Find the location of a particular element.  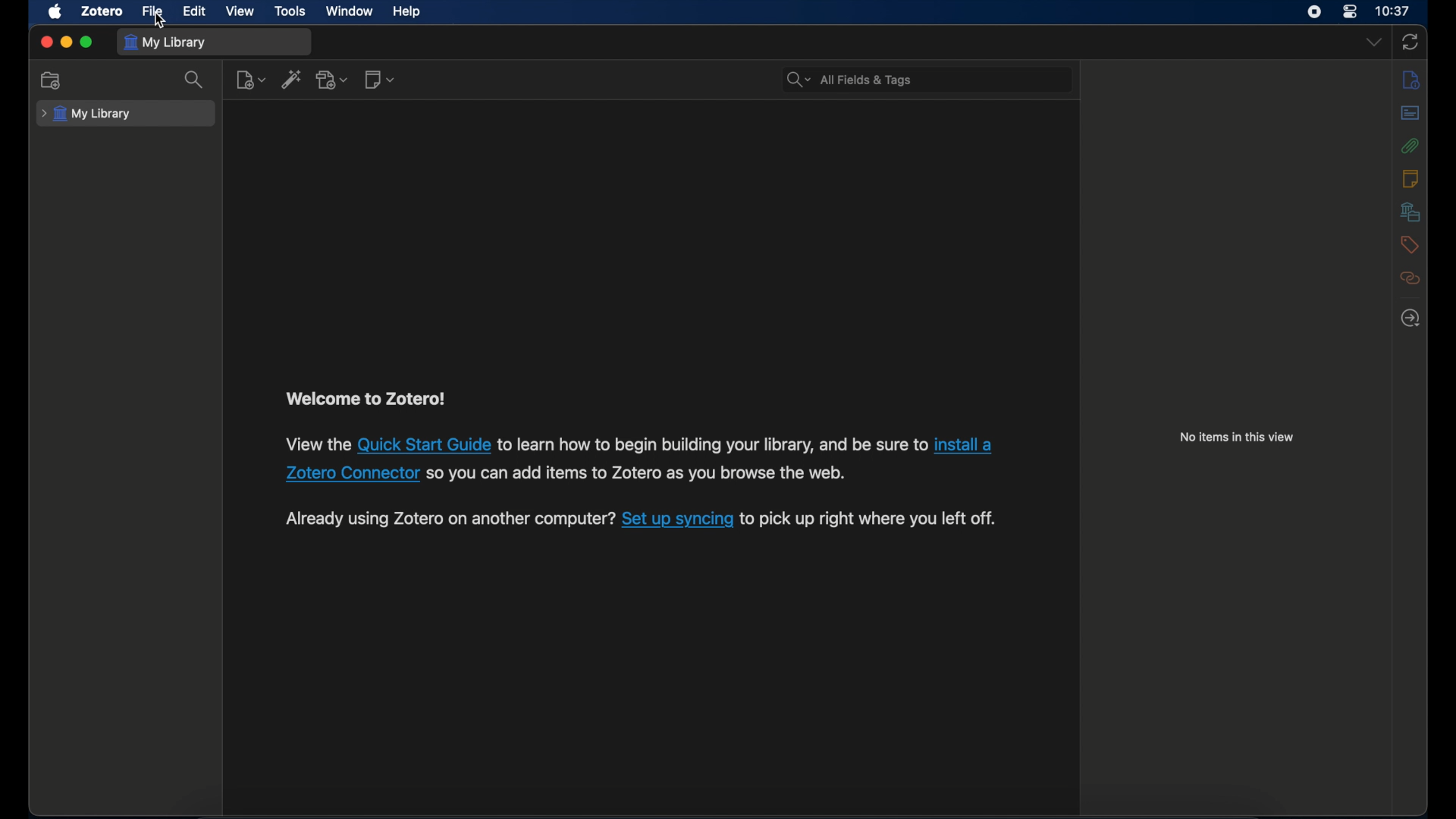

dropdown is located at coordinates (1375, 43).